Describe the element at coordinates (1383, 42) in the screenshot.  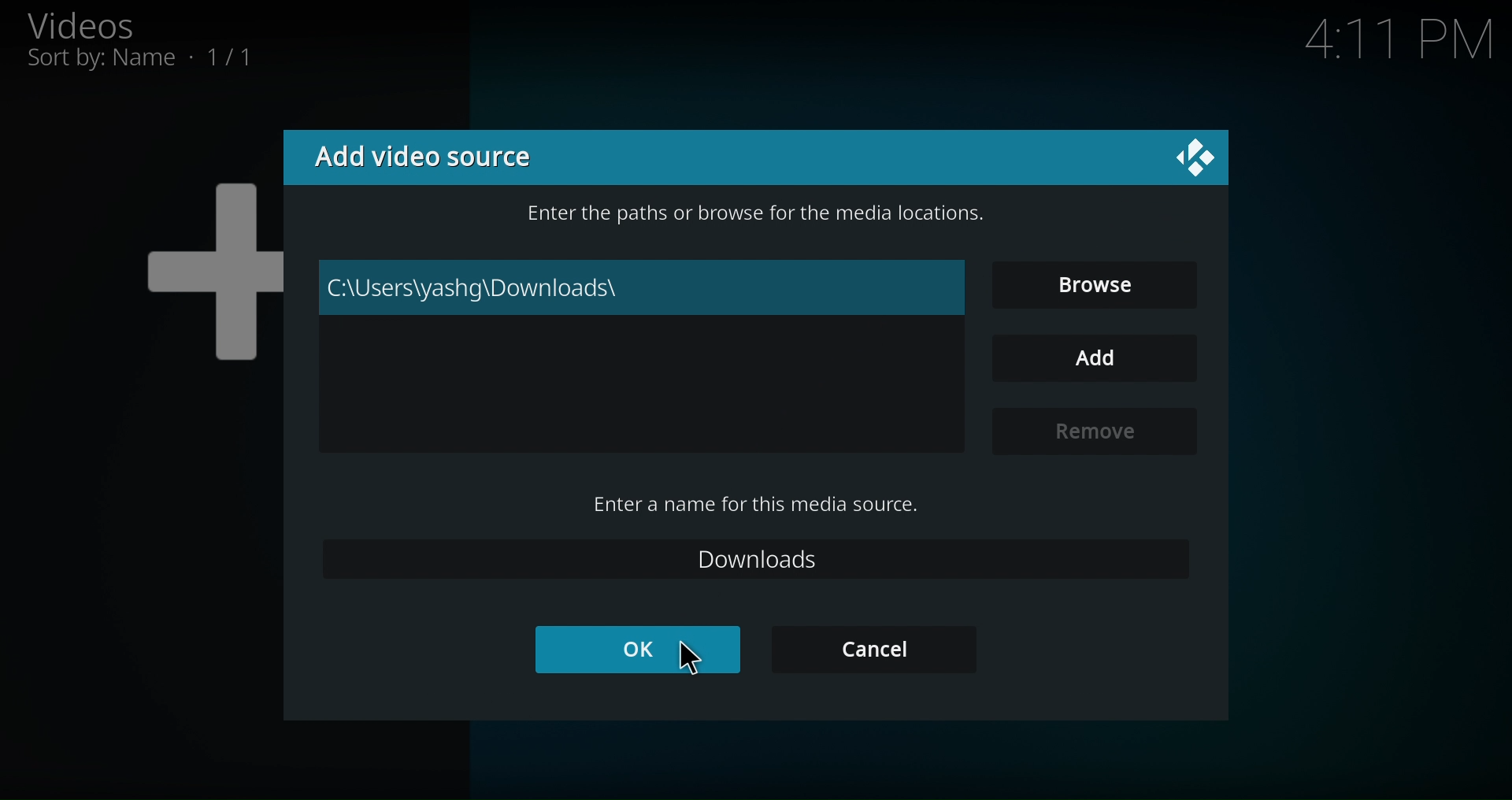
I see `4:11 PM` at that location.